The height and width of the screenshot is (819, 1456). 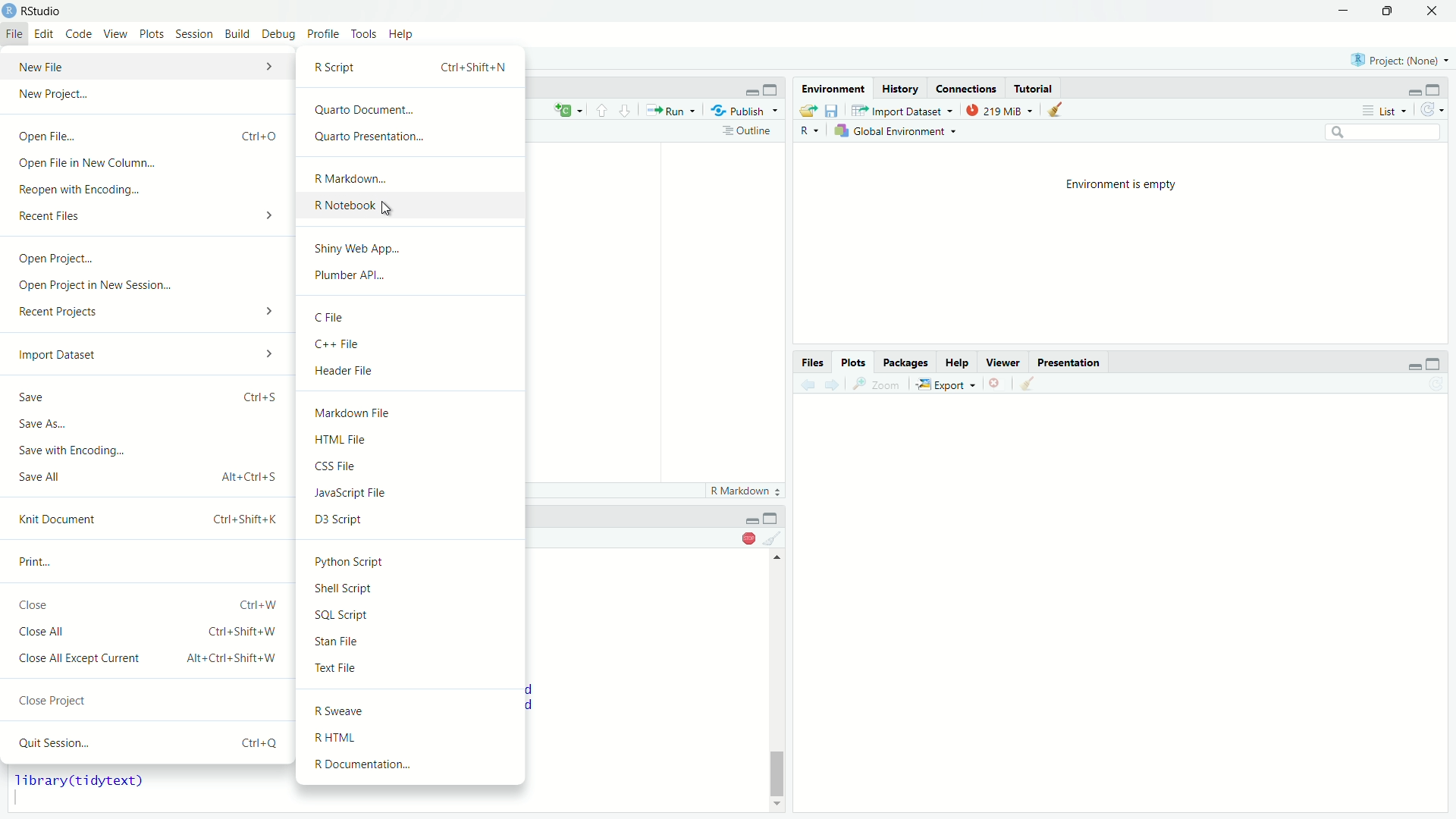 What do you see at coordinates (813, 132) in the screenshot?
I see `currently used language - R` at bounding box center [813, 132].